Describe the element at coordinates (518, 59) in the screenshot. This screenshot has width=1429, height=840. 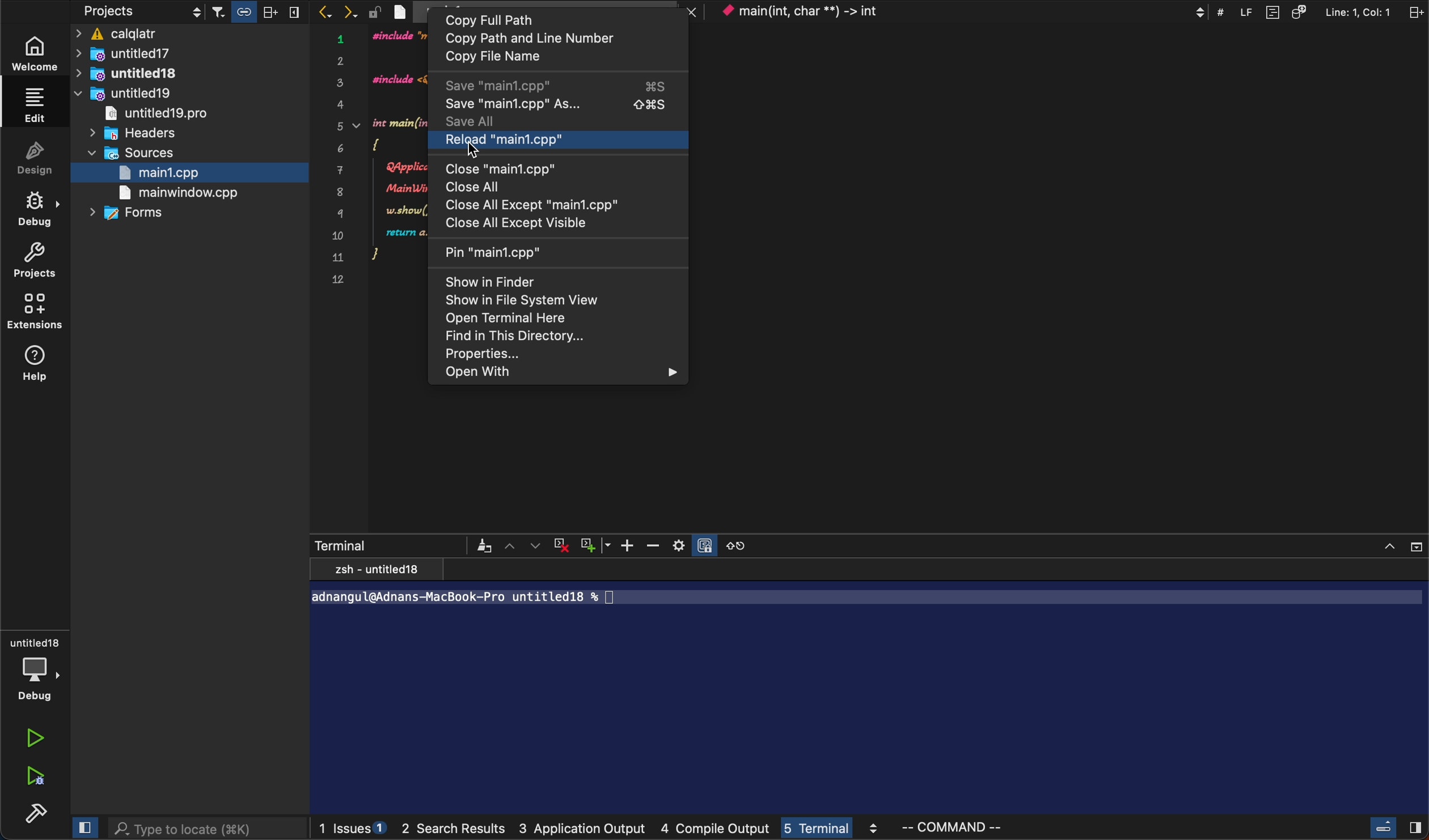
I see `file name` at that location.